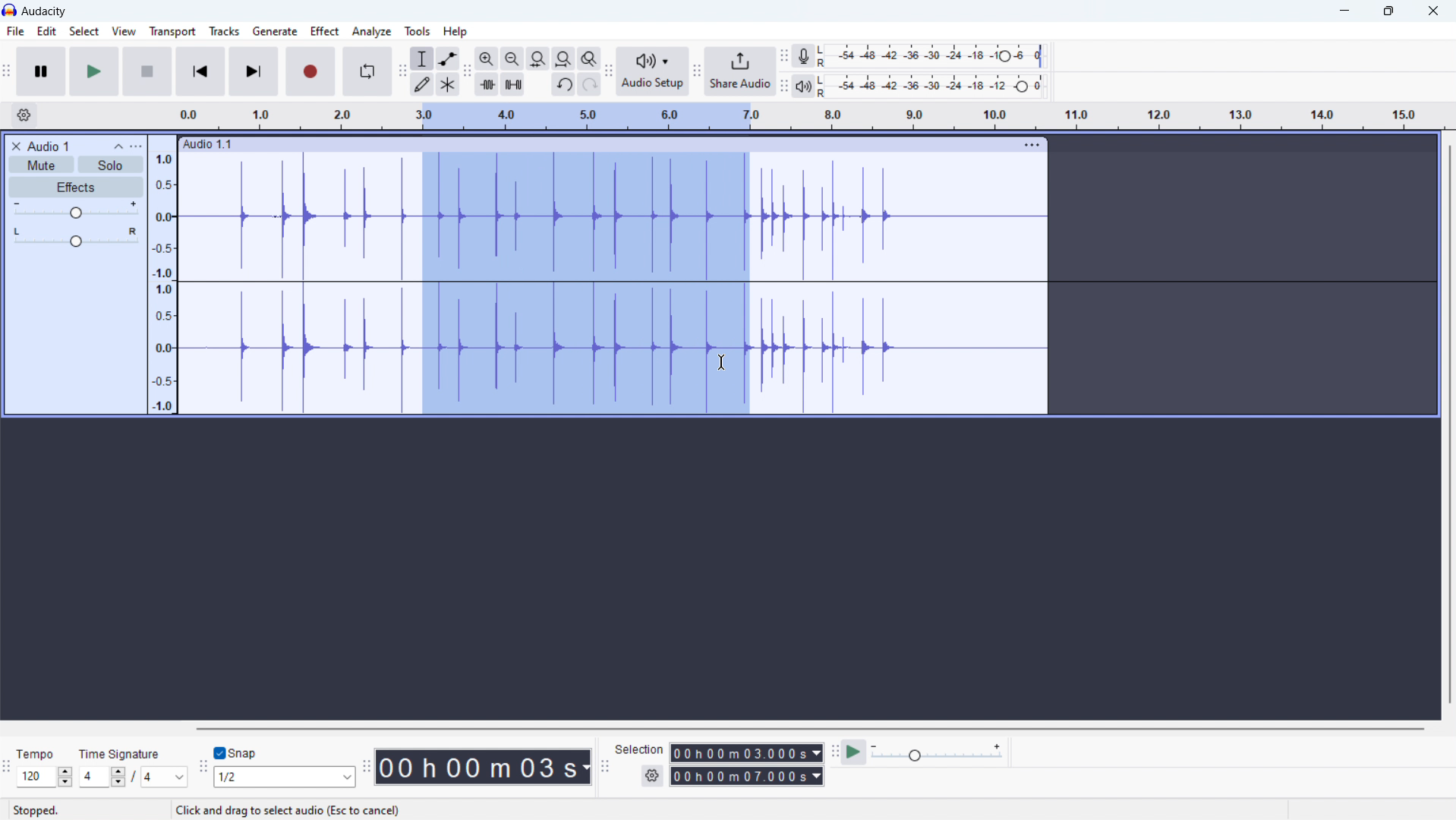  What do you see at coordinates (285, 777) in the screenshot?
I see `1/2 (select snap)` at bounding box center [285, 777].